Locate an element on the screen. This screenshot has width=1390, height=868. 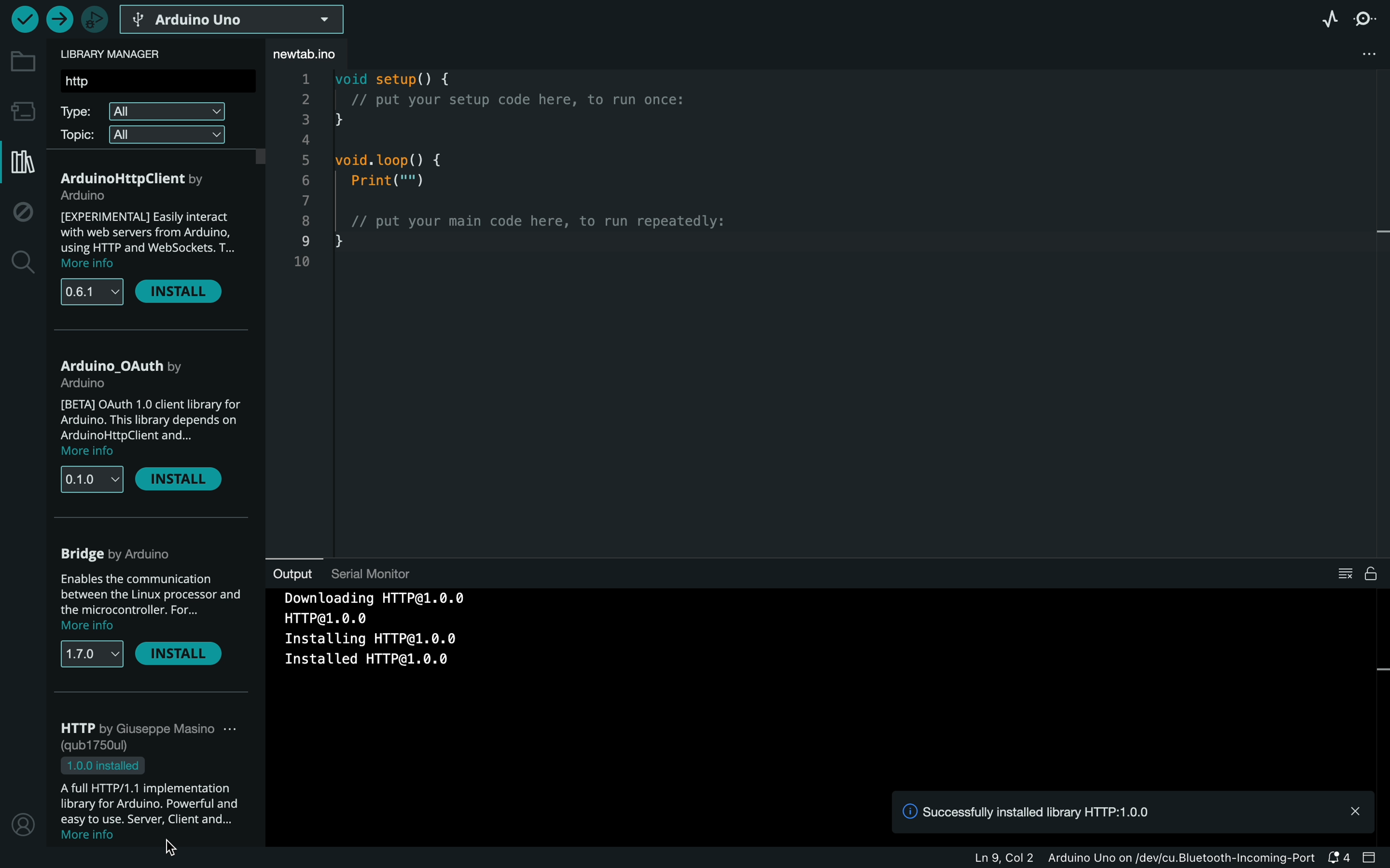
versions is located at coordinates (89, 476).